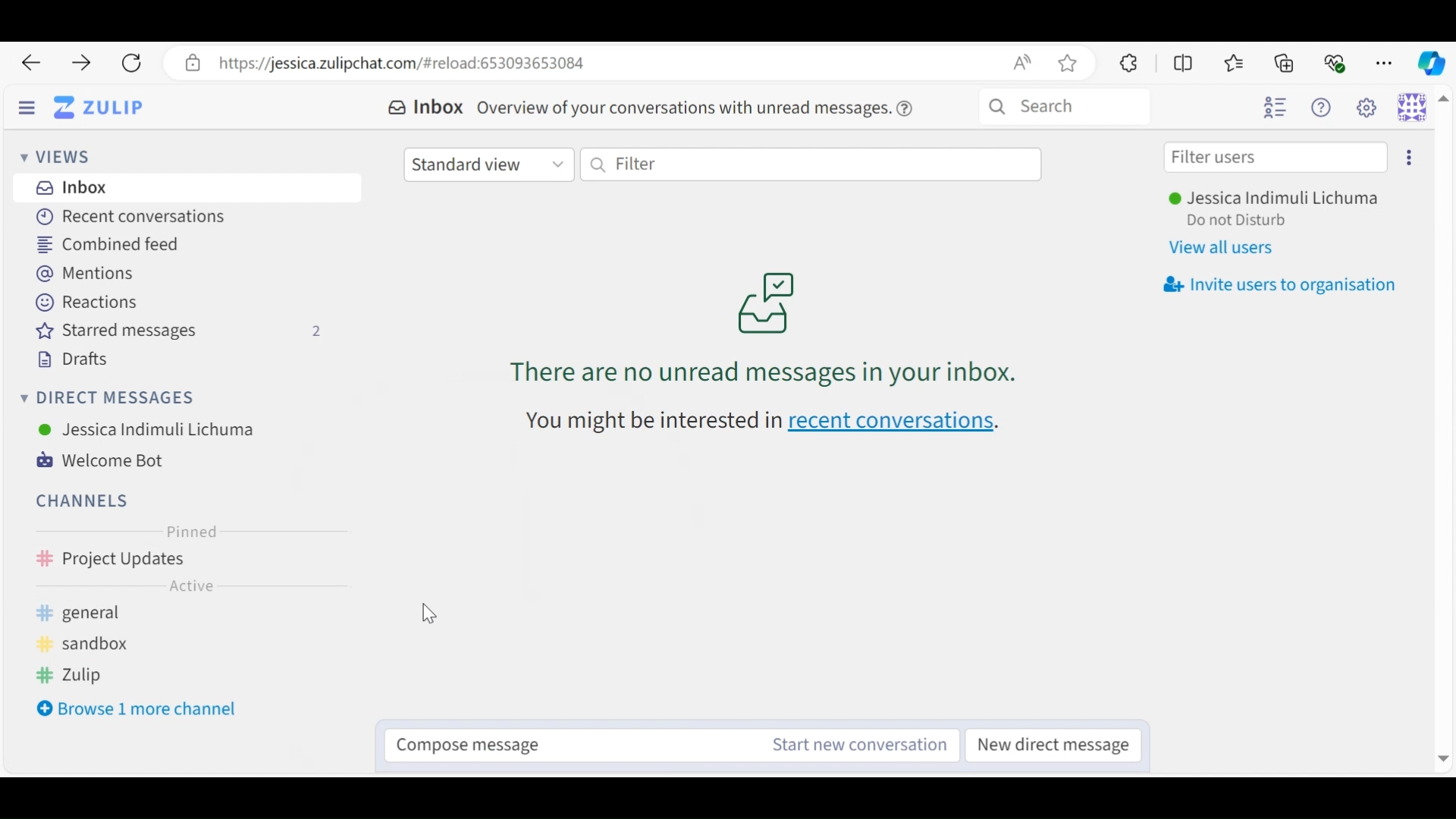  I want to click on Favorites, so click(1235, 63).